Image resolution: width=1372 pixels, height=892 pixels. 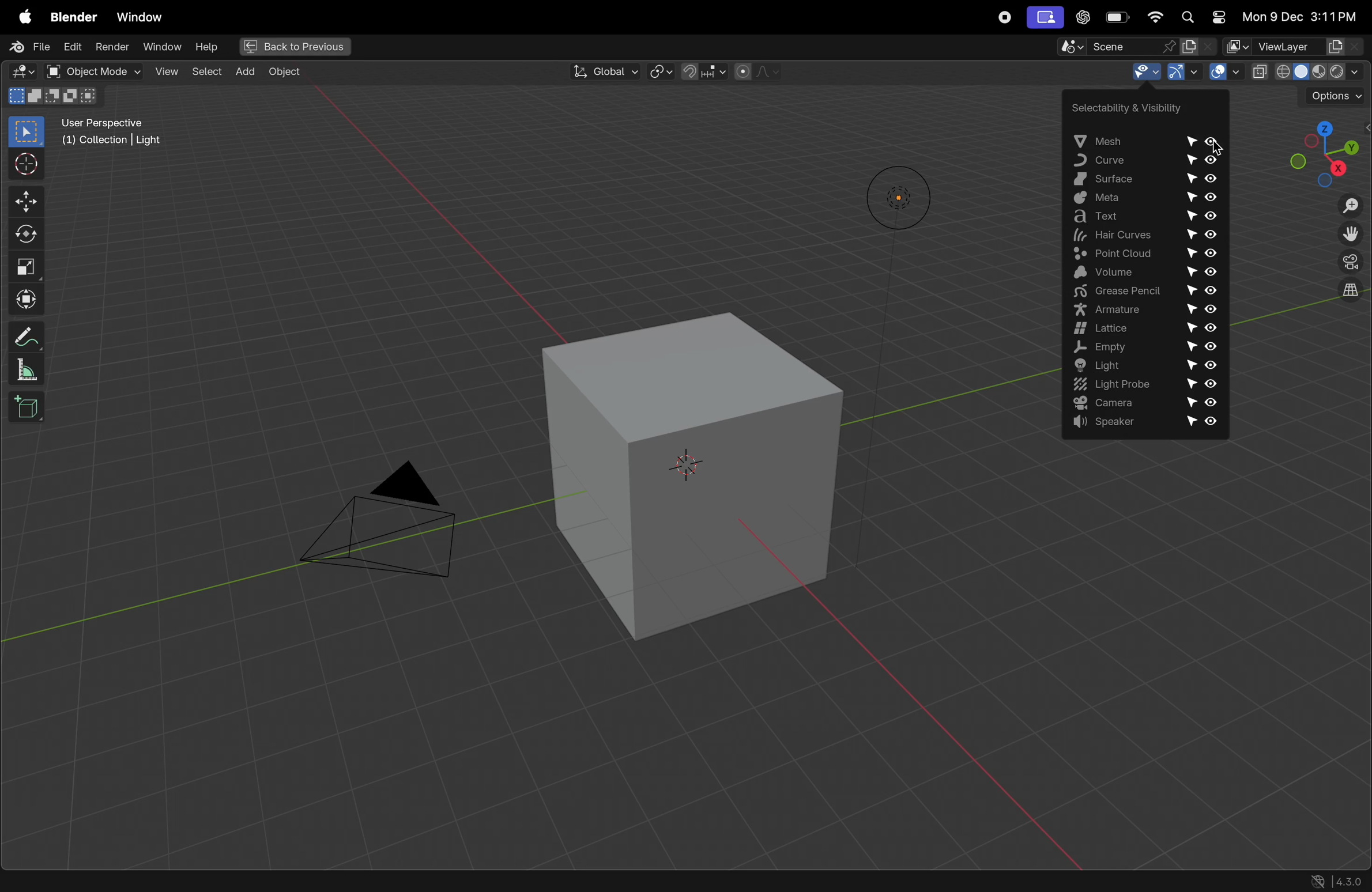 What do you see at coordinates (1132, 71) in the screenshot?
I see `visibility` at bounding box center [1132, 71].